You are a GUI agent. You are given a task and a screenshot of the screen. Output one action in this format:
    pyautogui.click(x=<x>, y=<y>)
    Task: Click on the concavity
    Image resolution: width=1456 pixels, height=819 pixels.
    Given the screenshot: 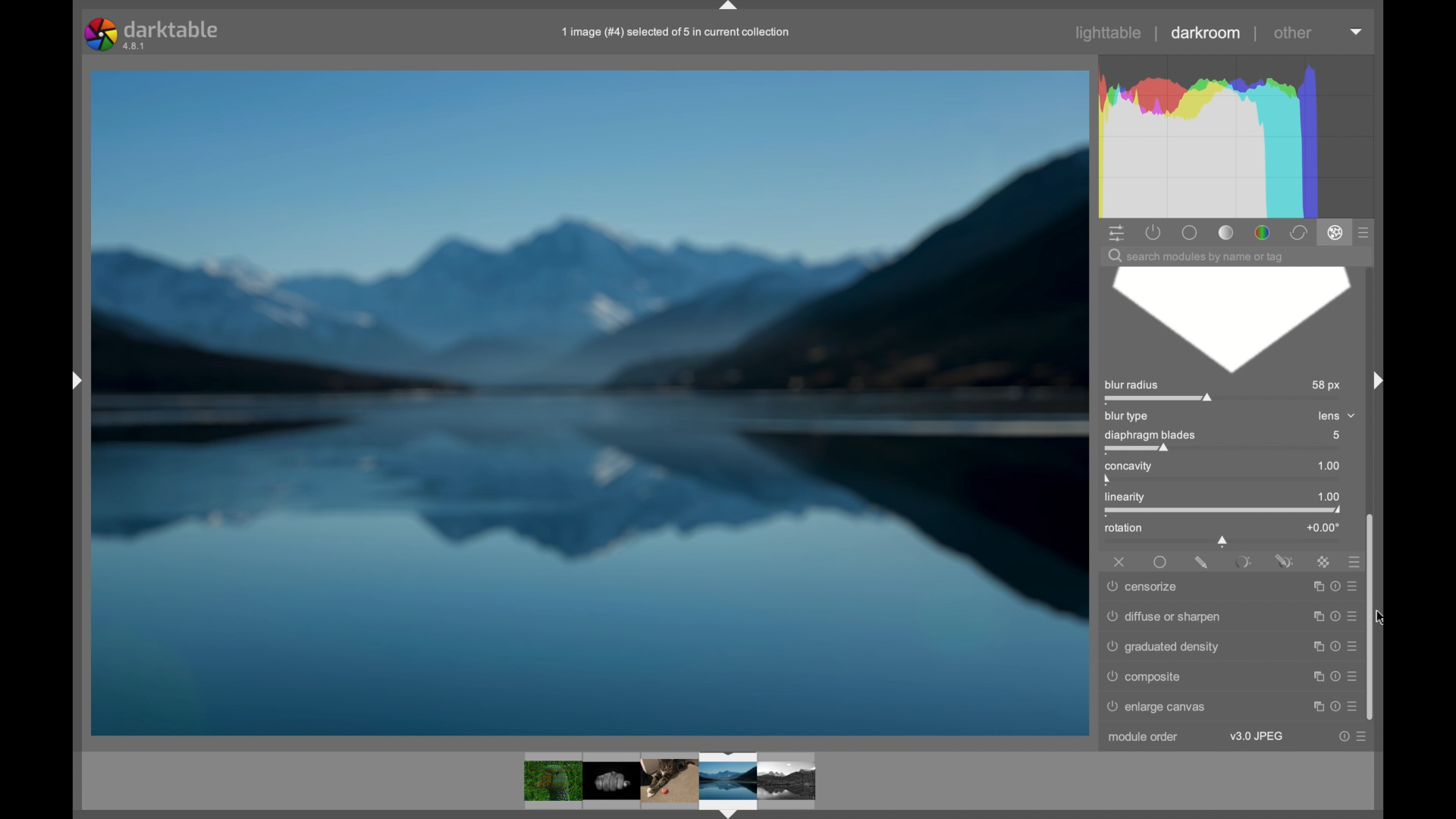 What is the action you would take?
    pyautogui.click(x=1132, y=471)
    